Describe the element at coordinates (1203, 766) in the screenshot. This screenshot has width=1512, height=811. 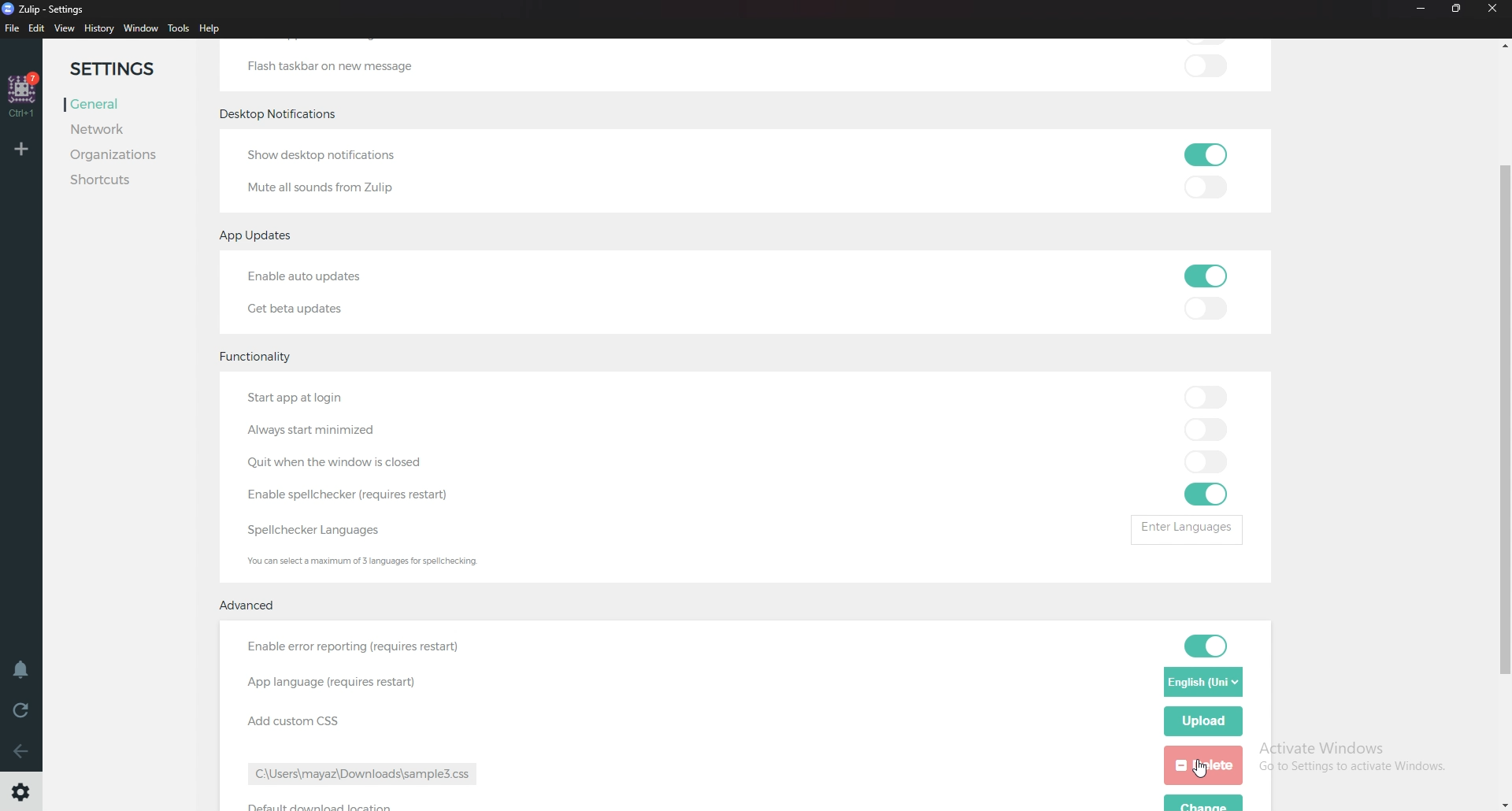
I see `delete` at that location.